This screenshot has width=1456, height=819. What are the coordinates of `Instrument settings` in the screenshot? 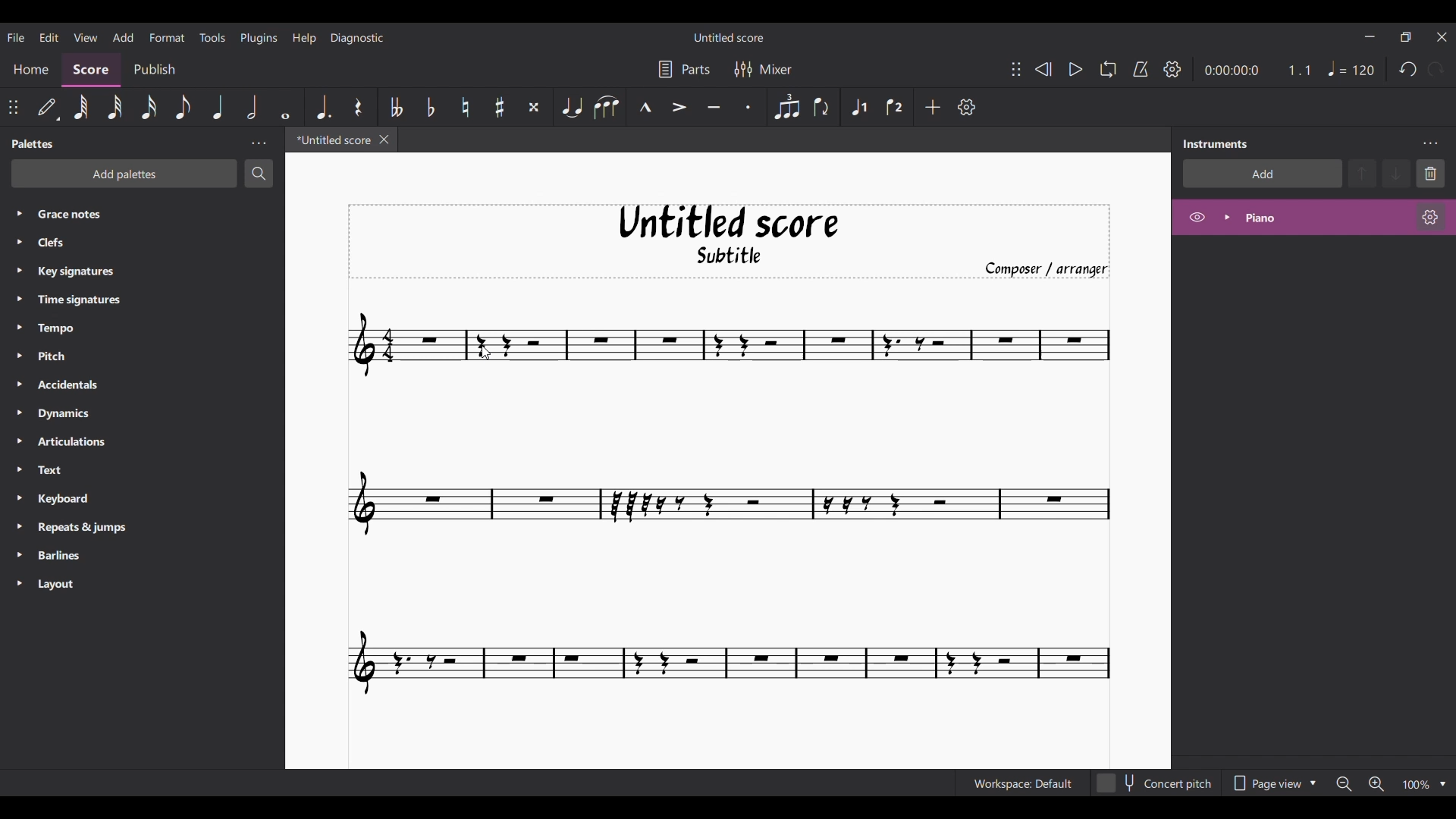 It's located at (1429, 143).